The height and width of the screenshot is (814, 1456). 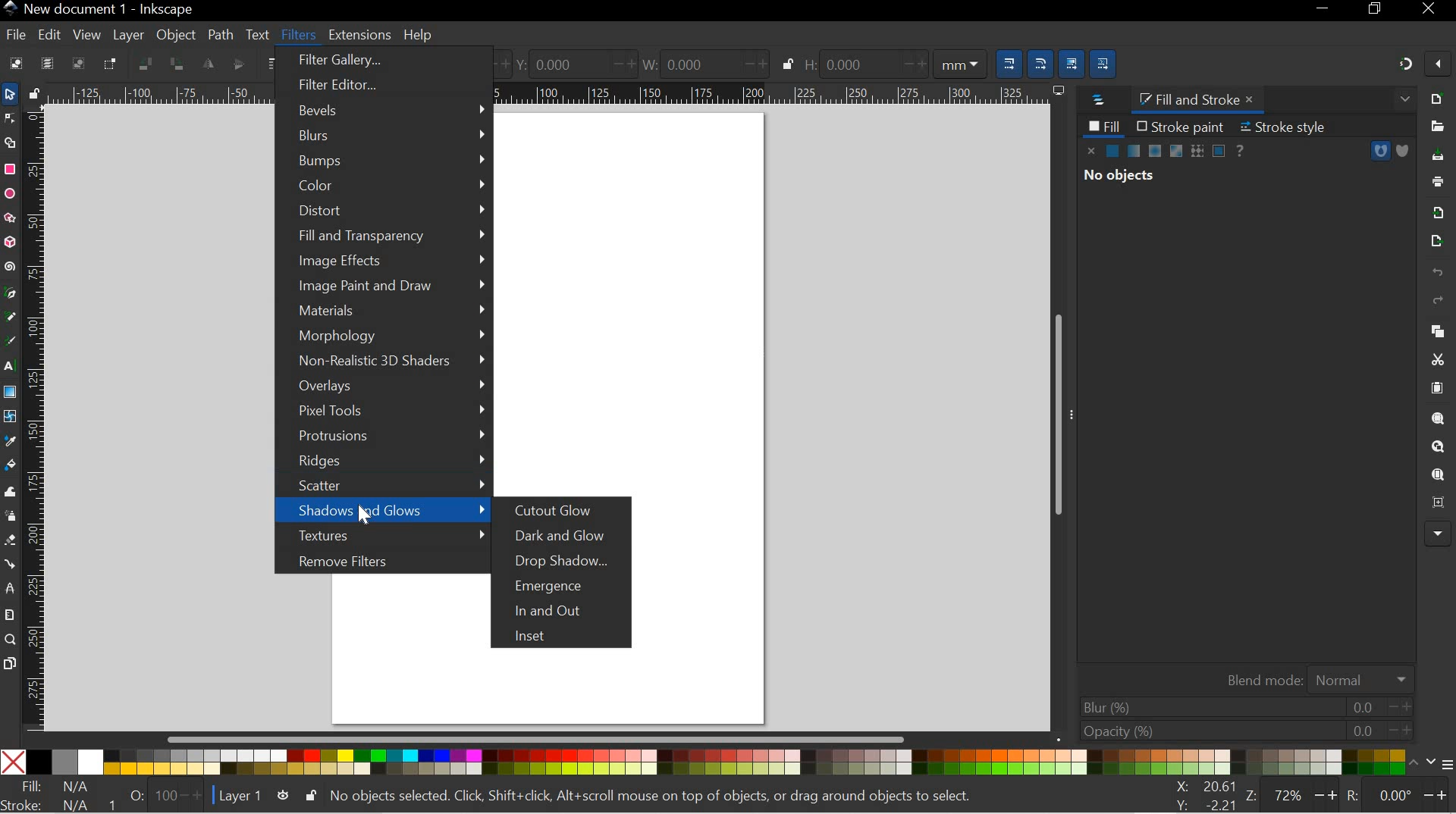 What do you see at coordinates (1200, 99) in the screenshot?
I see `FILL AND STROKE` at bounding box center [1200, 99].